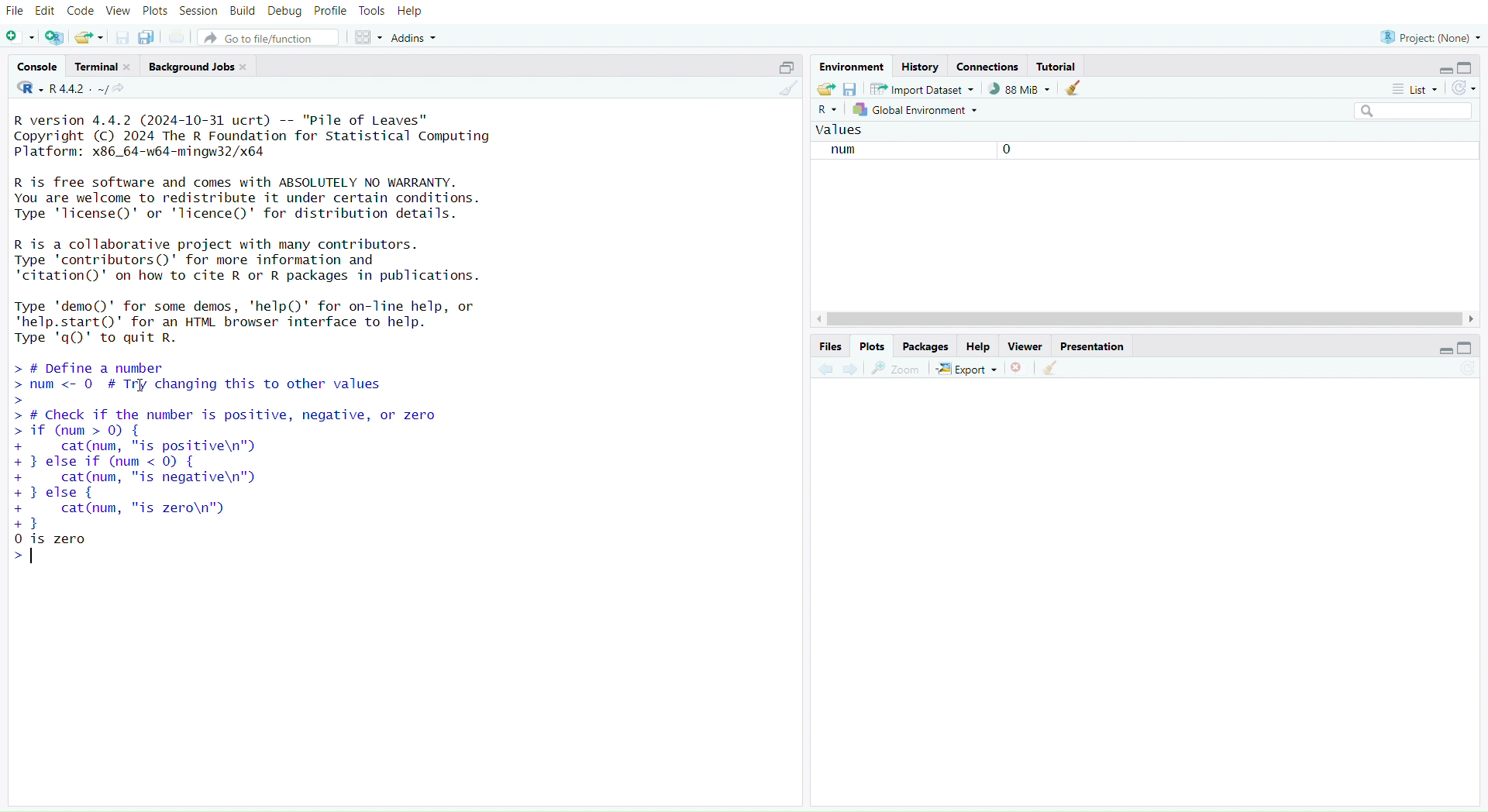 This screenshot has height=812, width=1488. What do you see at coordinates (15, 12) in the screenshot?
I see `file` at bounding box center [15, 12].